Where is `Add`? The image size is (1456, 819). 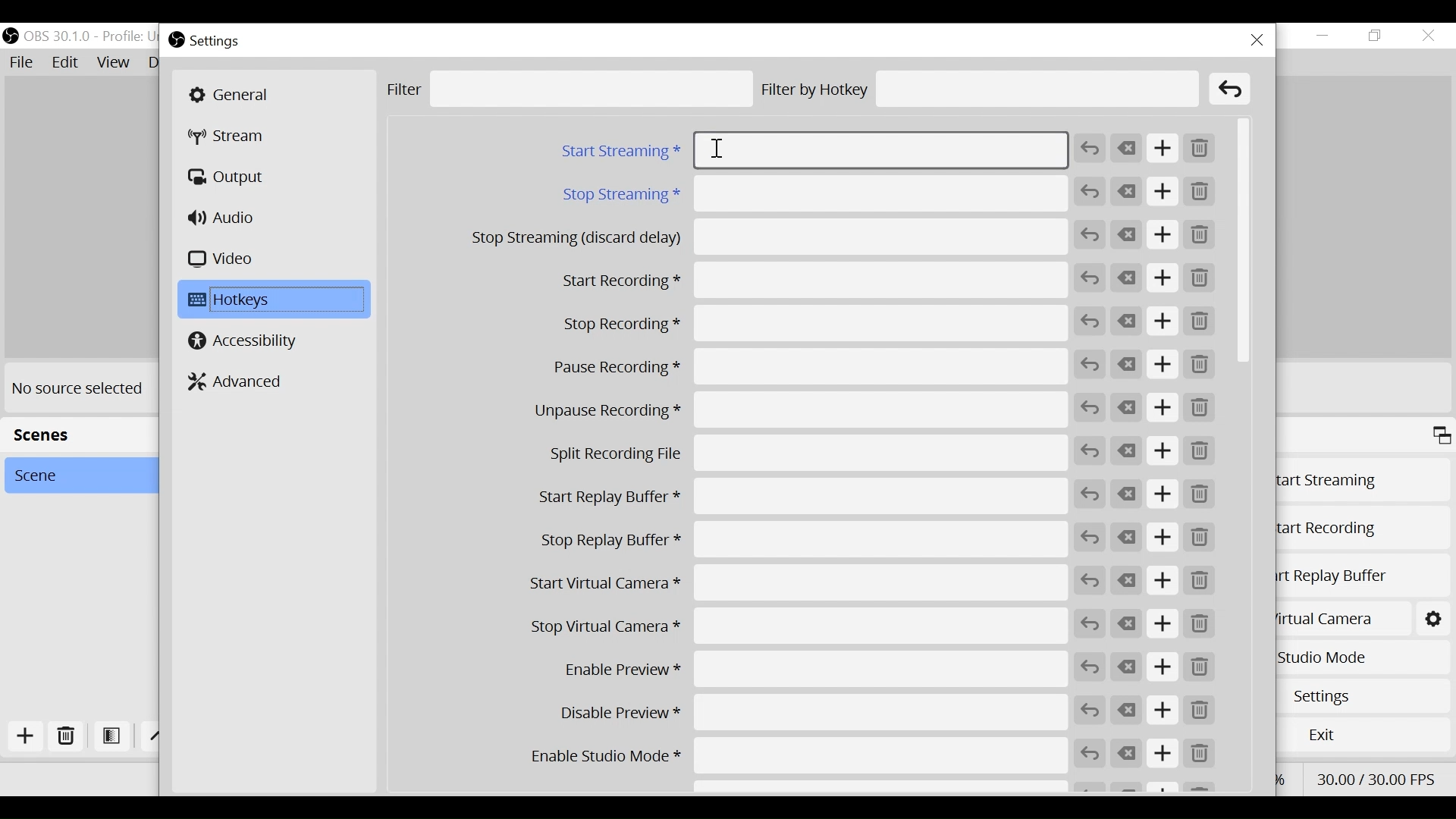
Add is located at coordinates (1164, 669).